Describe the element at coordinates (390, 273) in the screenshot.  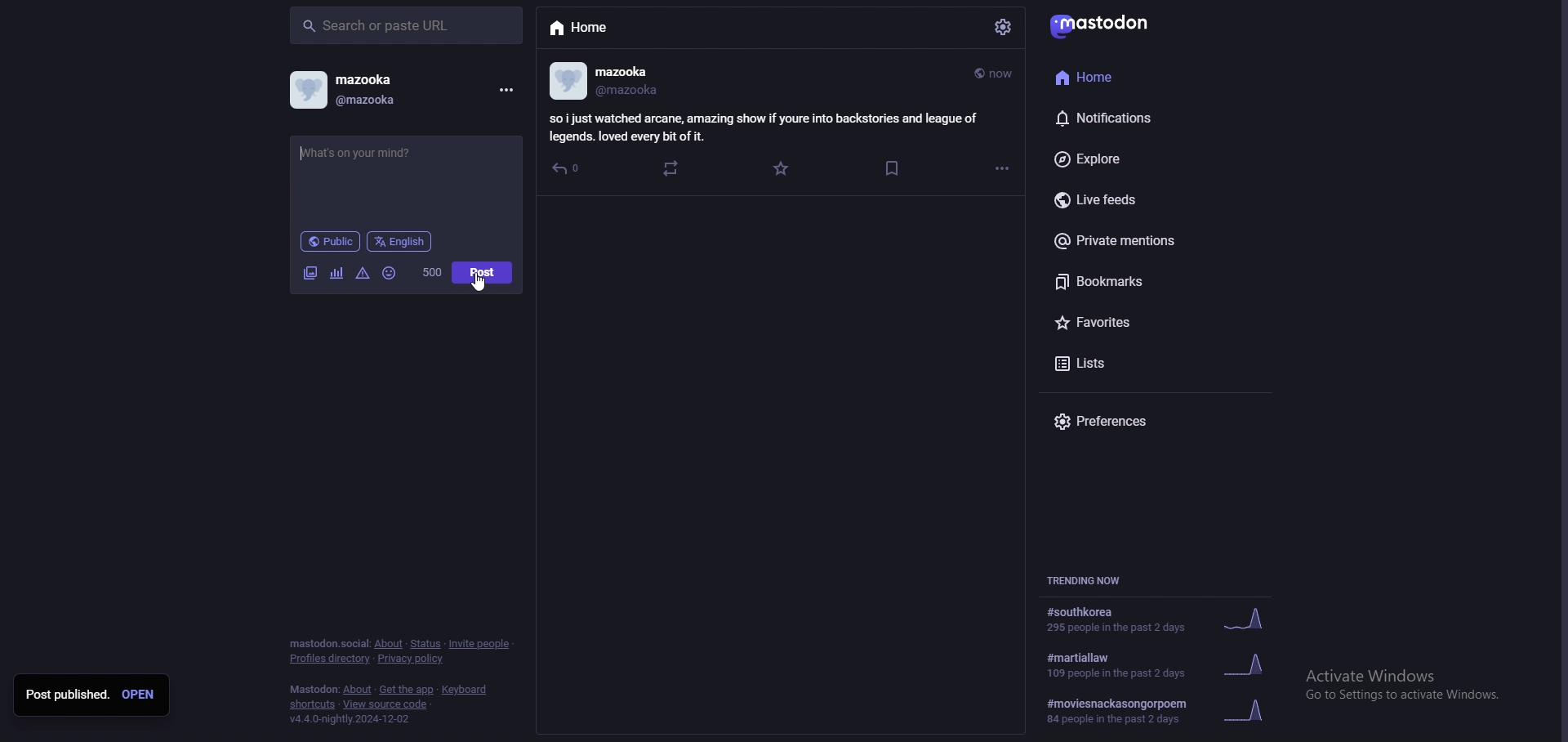
I see `emoji` at that location.